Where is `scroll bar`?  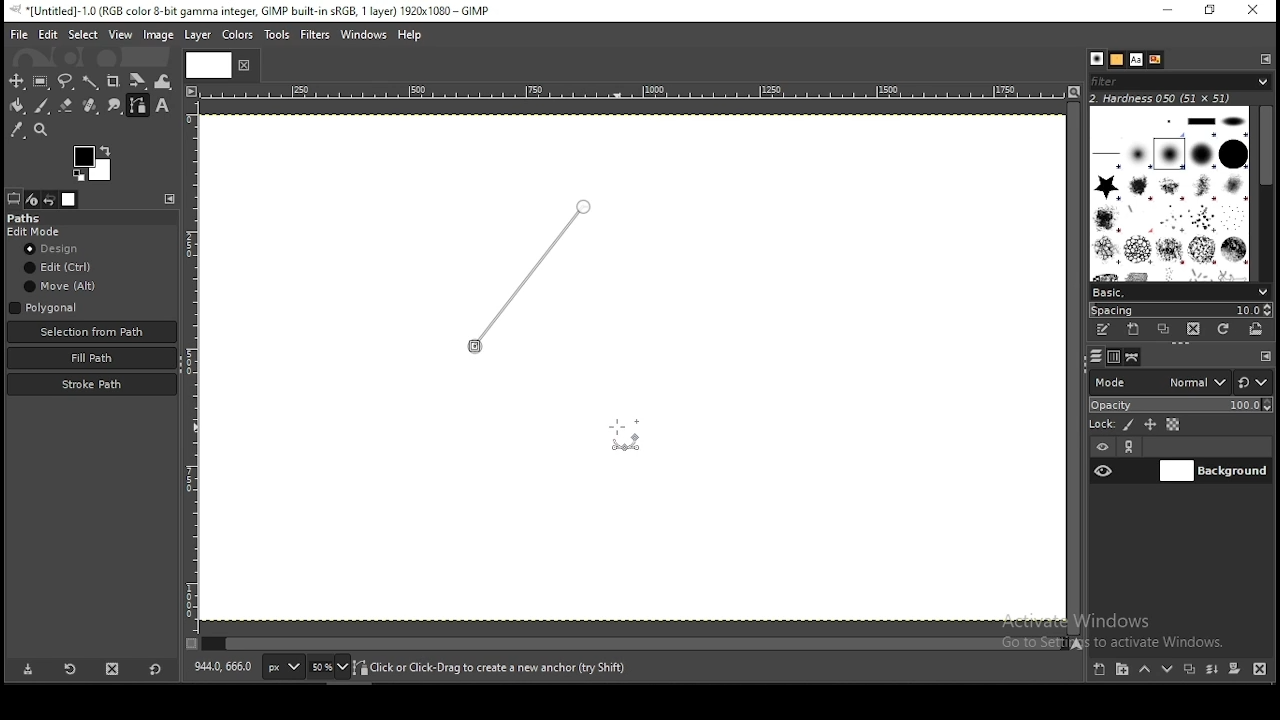 scroll bar is located at coordinates (632, 645).